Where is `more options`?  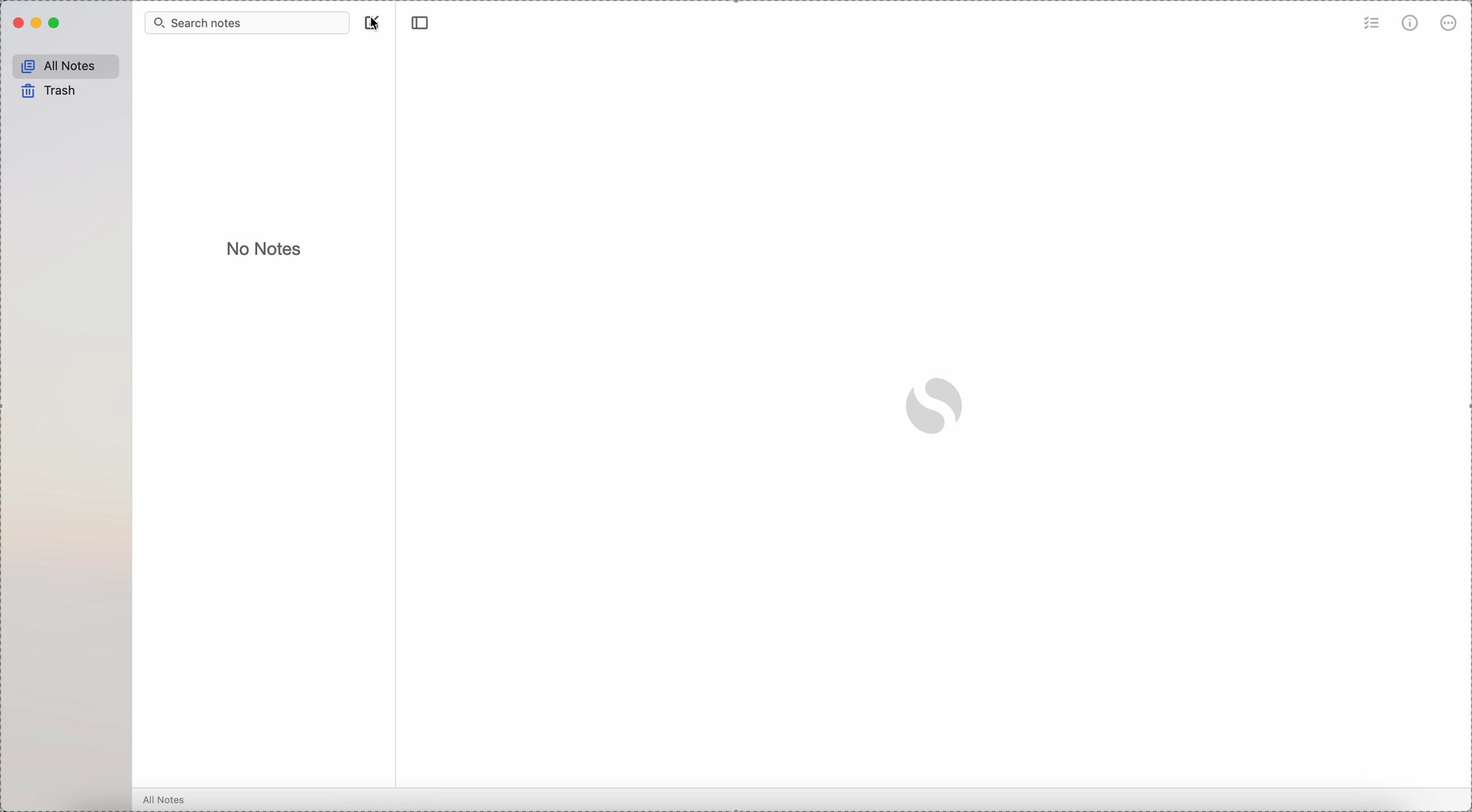
more options is located at coordinates (1449, 25).